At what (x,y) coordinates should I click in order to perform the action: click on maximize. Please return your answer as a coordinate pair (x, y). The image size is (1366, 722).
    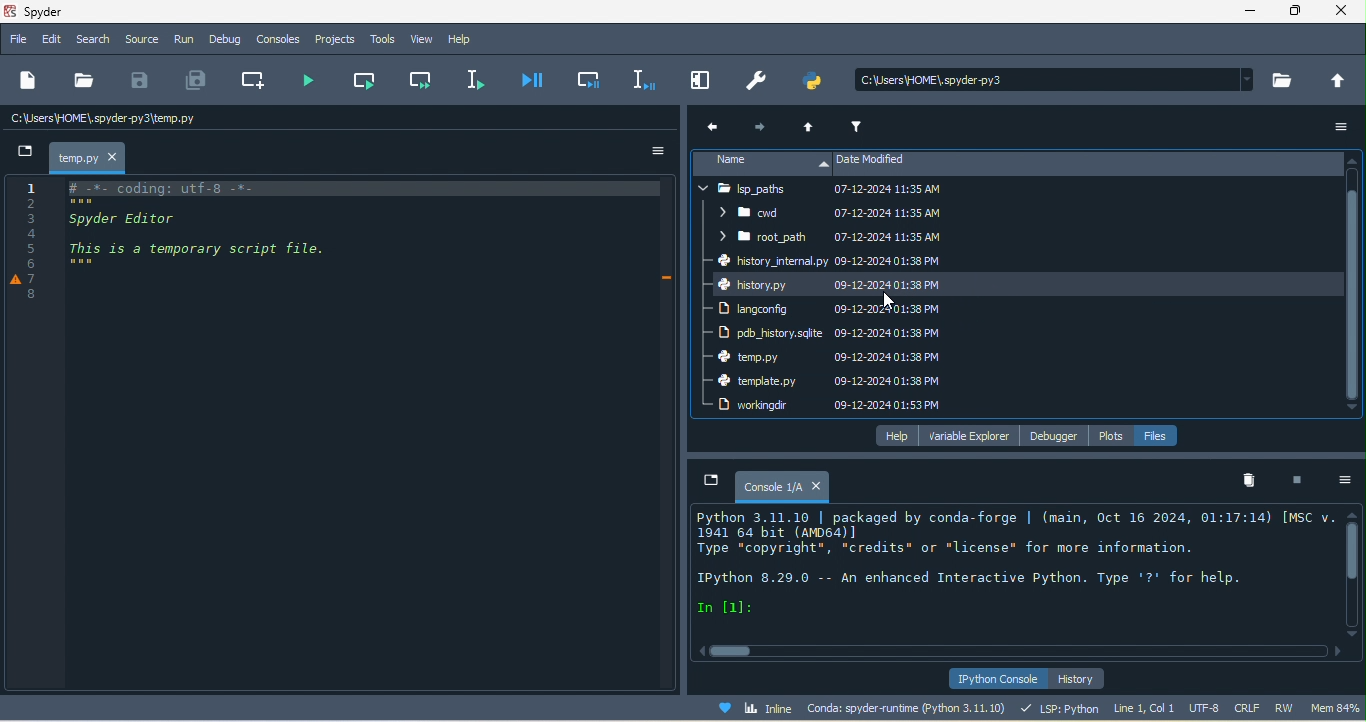
    Looking at the image, I should click on (1291, 12).